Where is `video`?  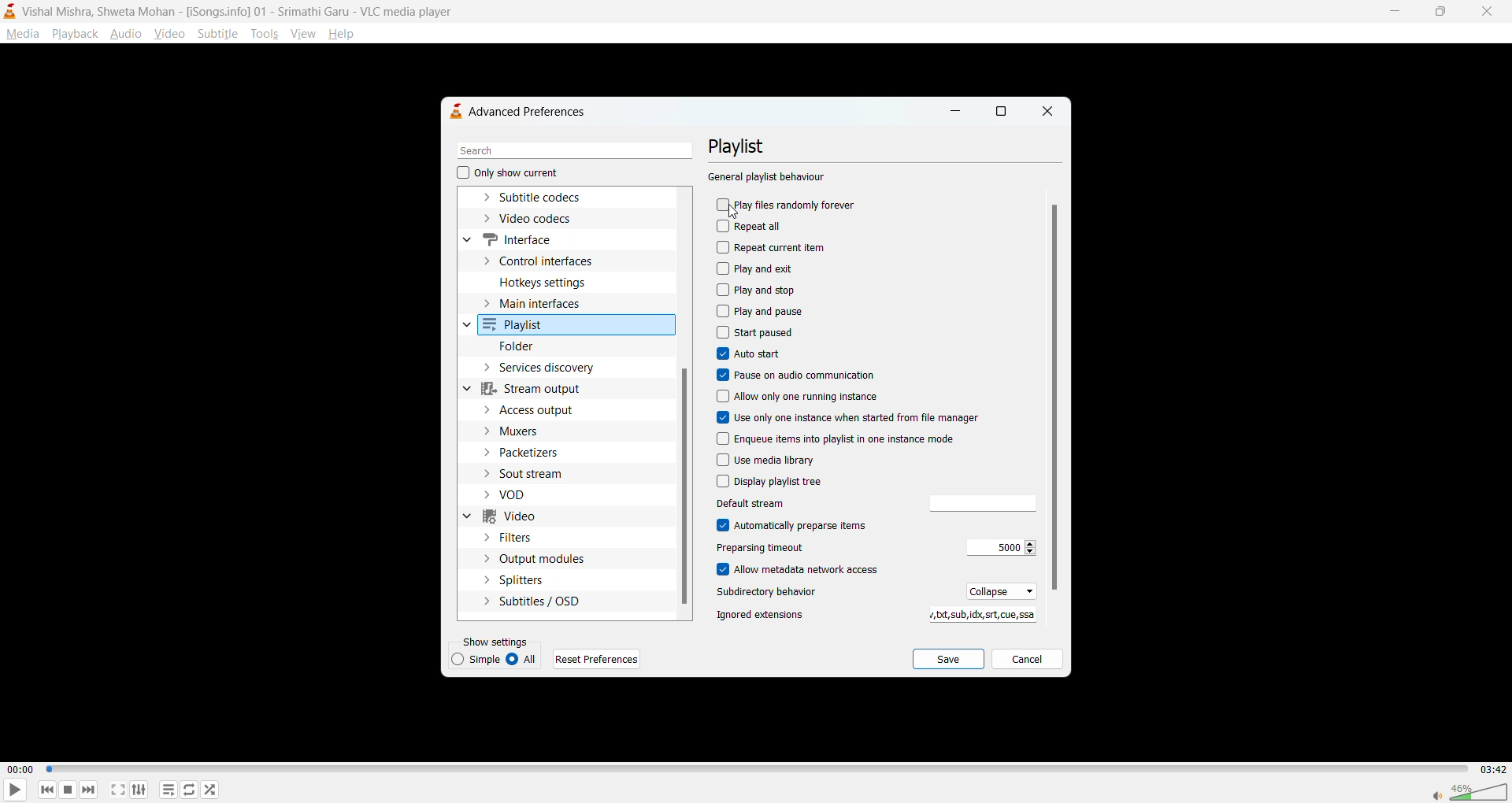
video is located at coordinates (517, 518).